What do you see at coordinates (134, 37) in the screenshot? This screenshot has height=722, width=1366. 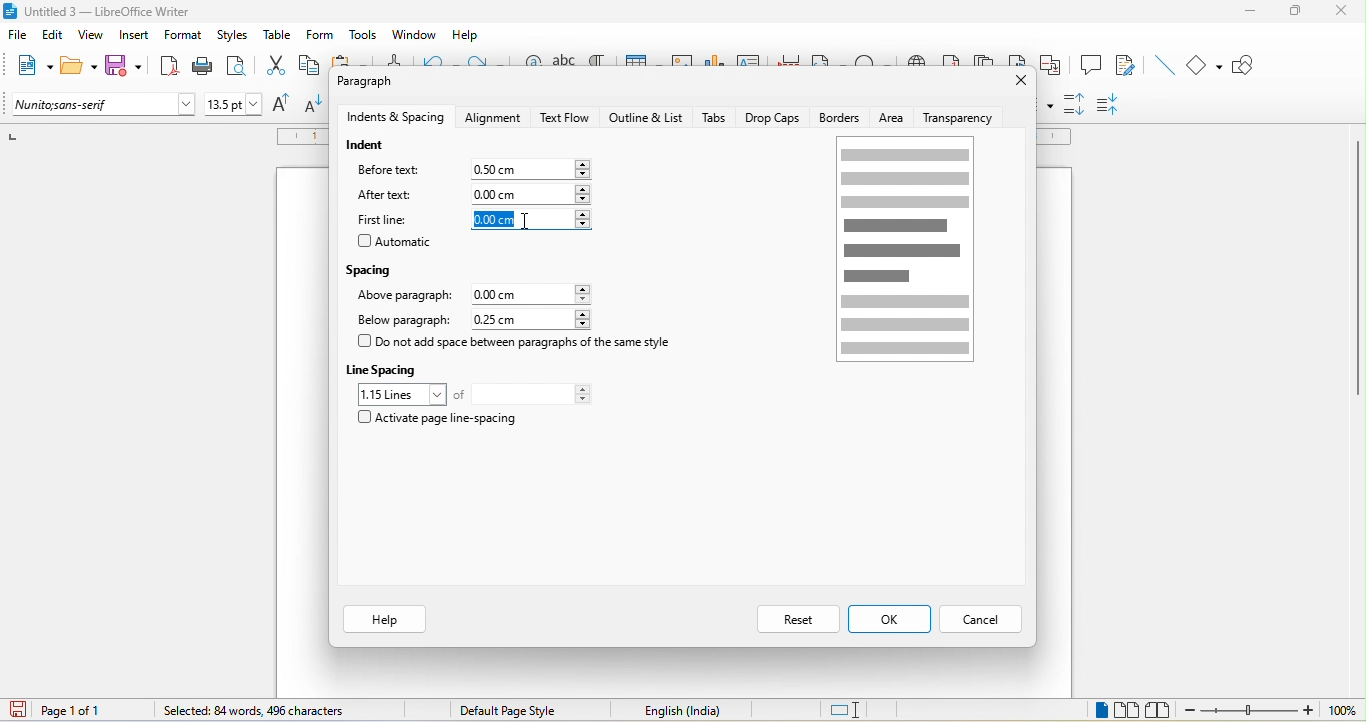 I see `insert` at bounding box center [134, 37].